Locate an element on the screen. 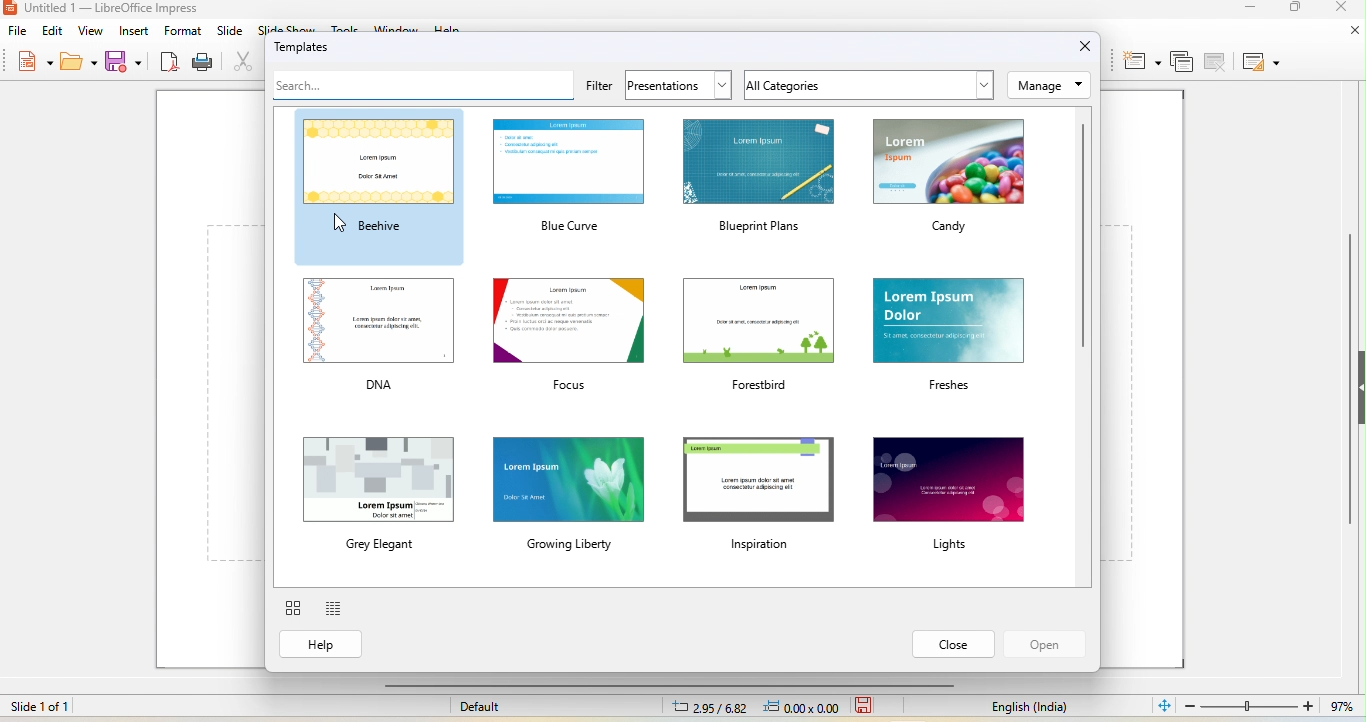 Image resolution: width=1366 pixels, height=722 pixels. view is located at coordinates (90, 31).